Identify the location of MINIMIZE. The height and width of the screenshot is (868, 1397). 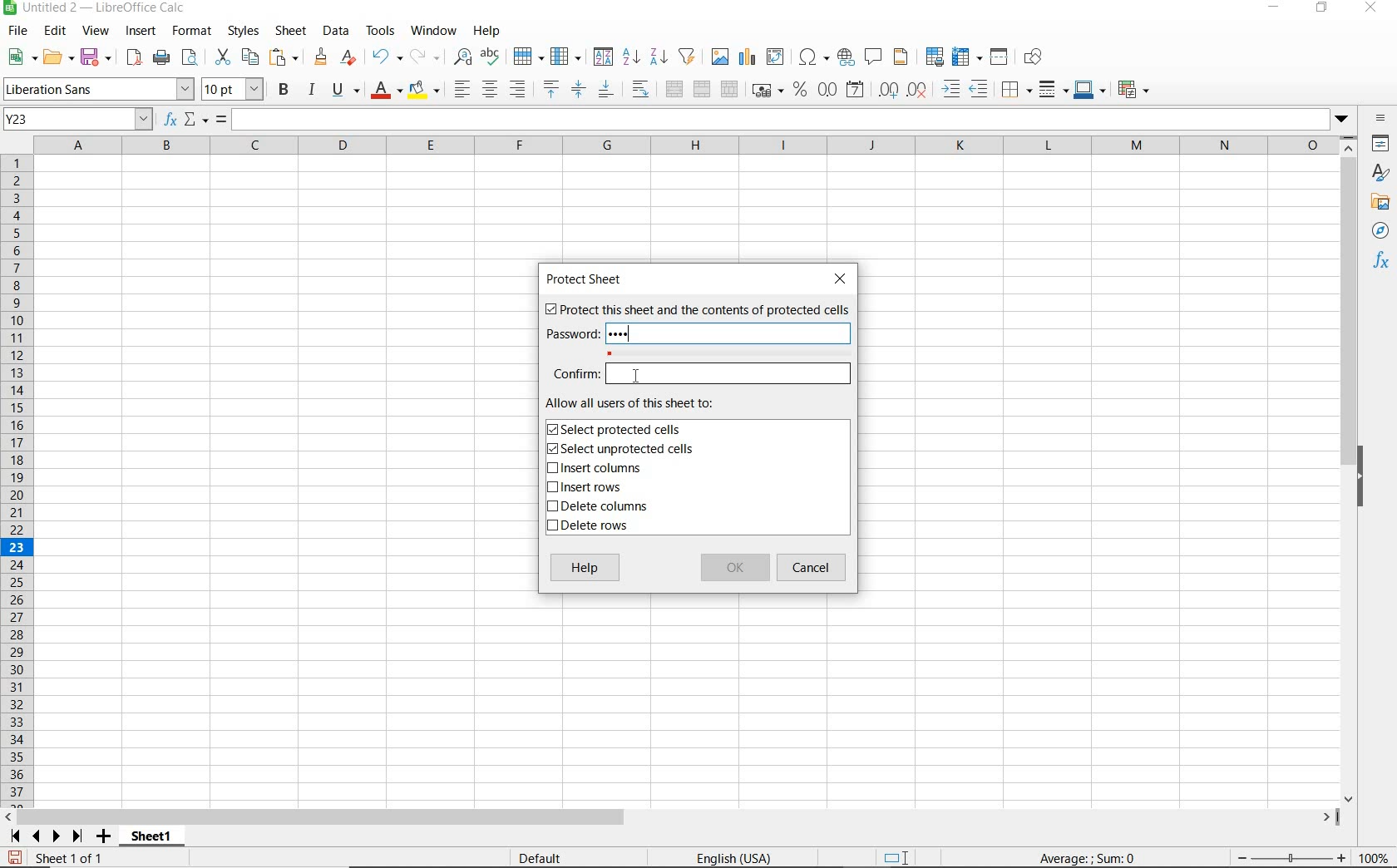
(1276, 8).